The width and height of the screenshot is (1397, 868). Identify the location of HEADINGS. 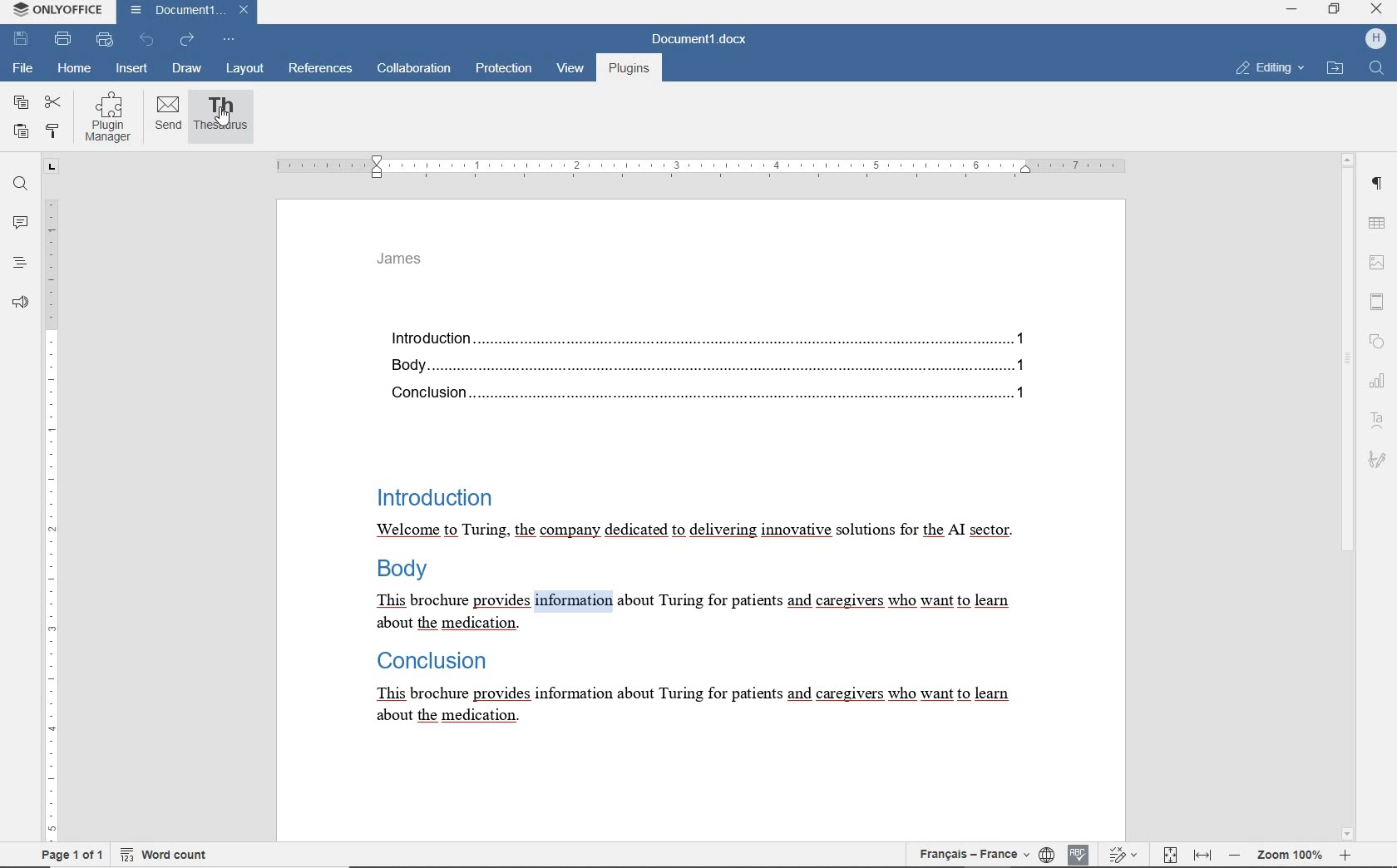
(18, 262).